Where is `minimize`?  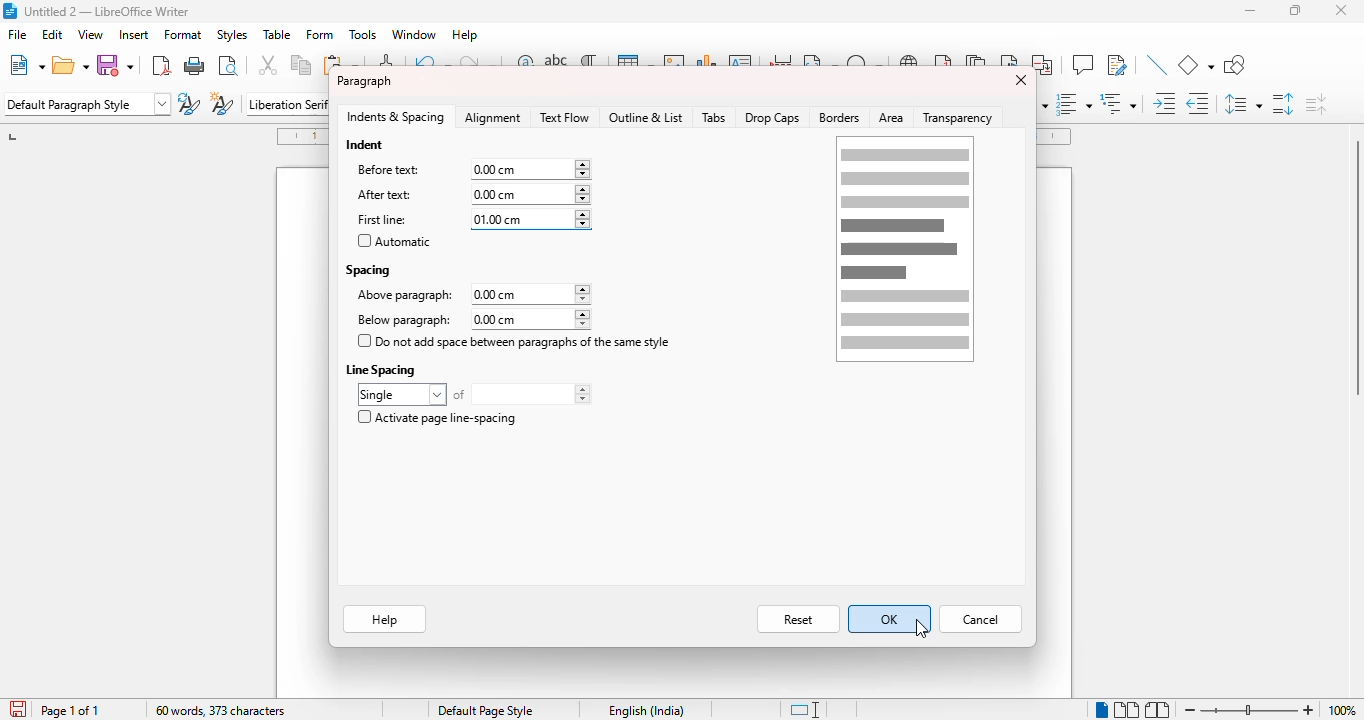 minimize is located at coordinates (1251, 11).